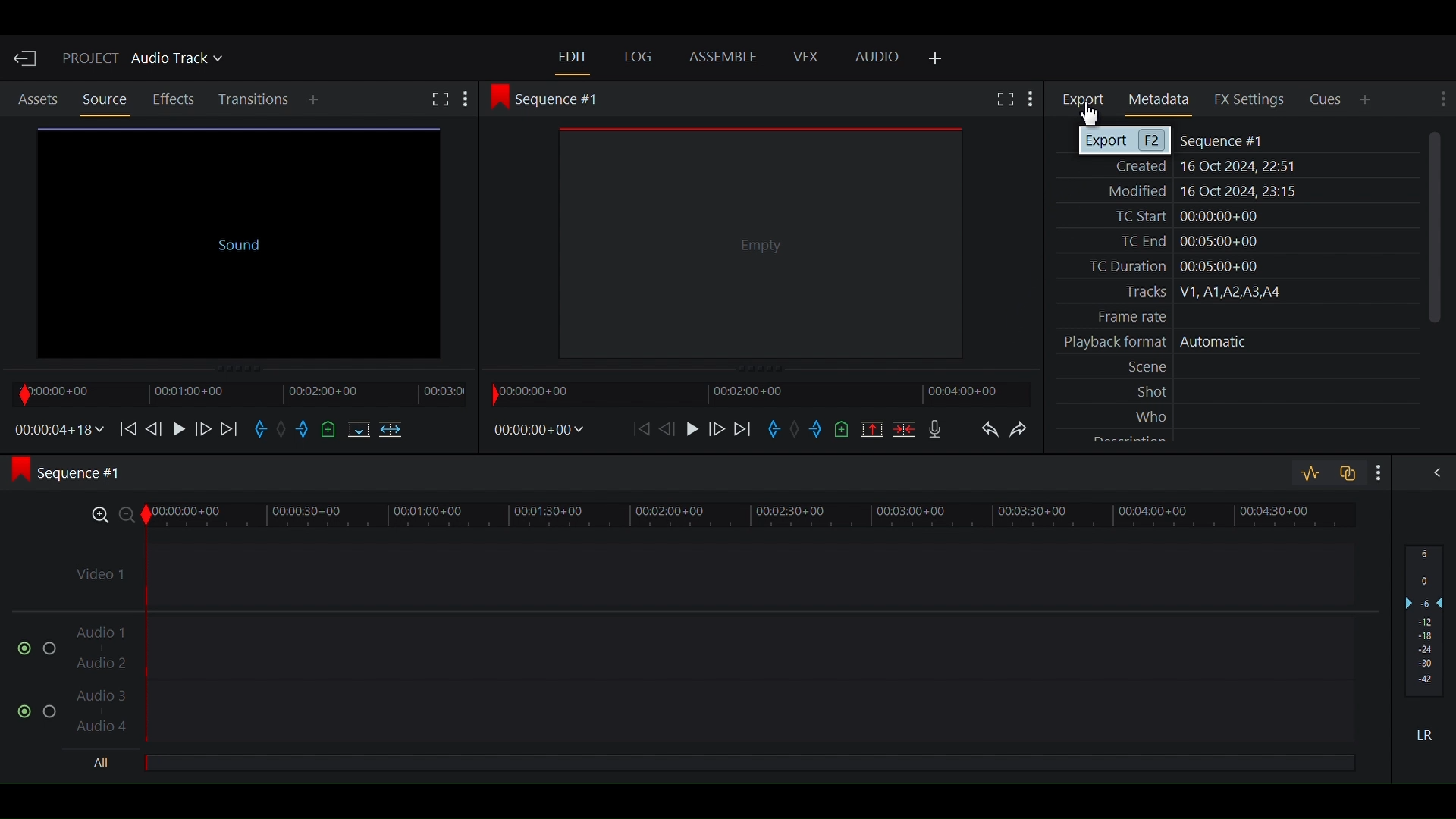 The width and height of the screenshot is (1456, 819). I want to click on Assemble, so click(726, 58).